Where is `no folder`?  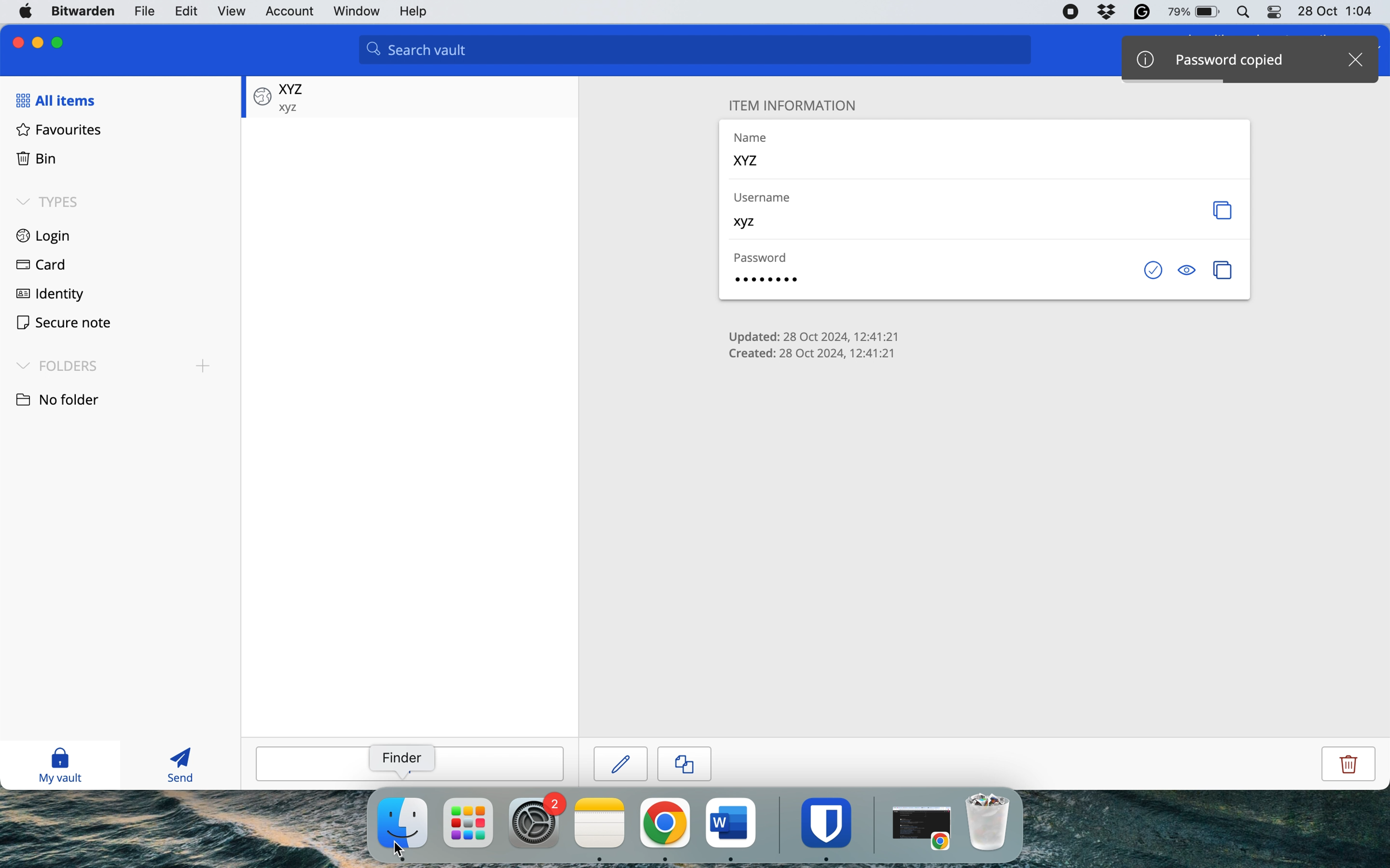
no folder is located at coordinates (67, 398).